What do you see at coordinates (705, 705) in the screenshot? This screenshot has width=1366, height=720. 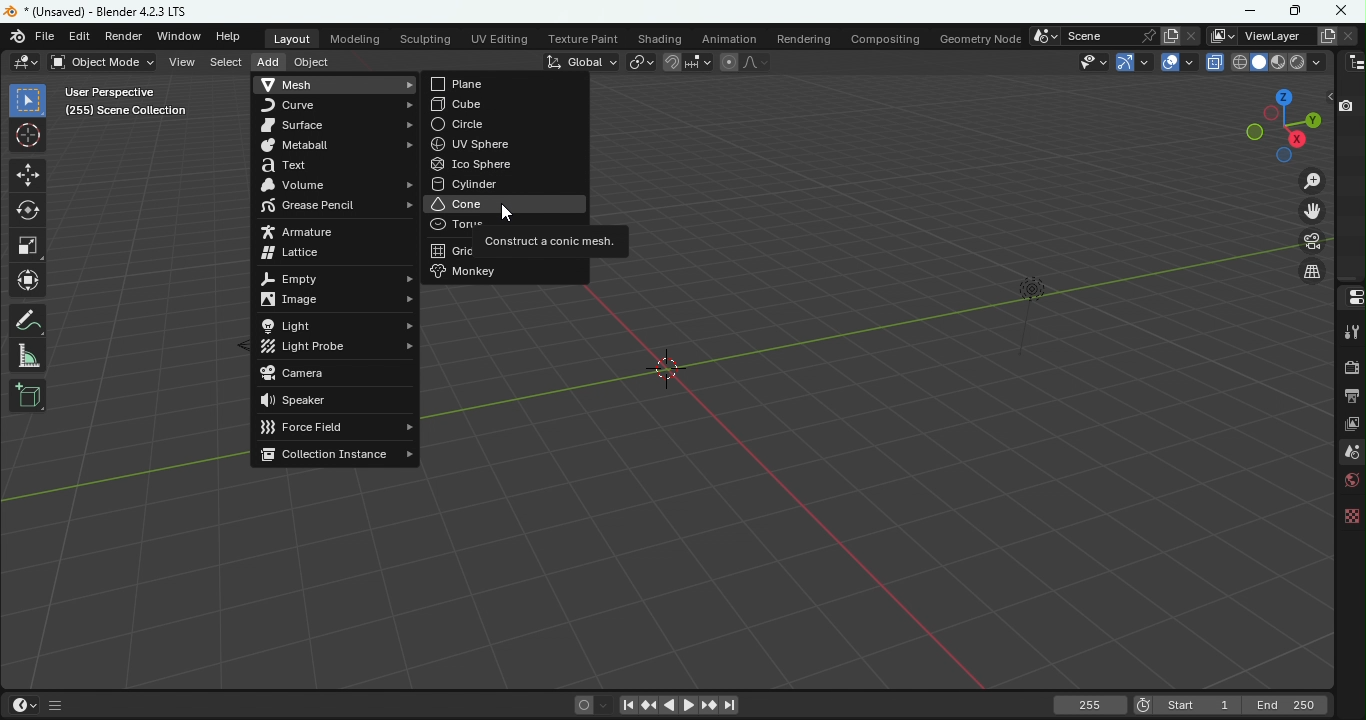 I see `Jump to next/previous keyframe` at bounding box center [705, 705].